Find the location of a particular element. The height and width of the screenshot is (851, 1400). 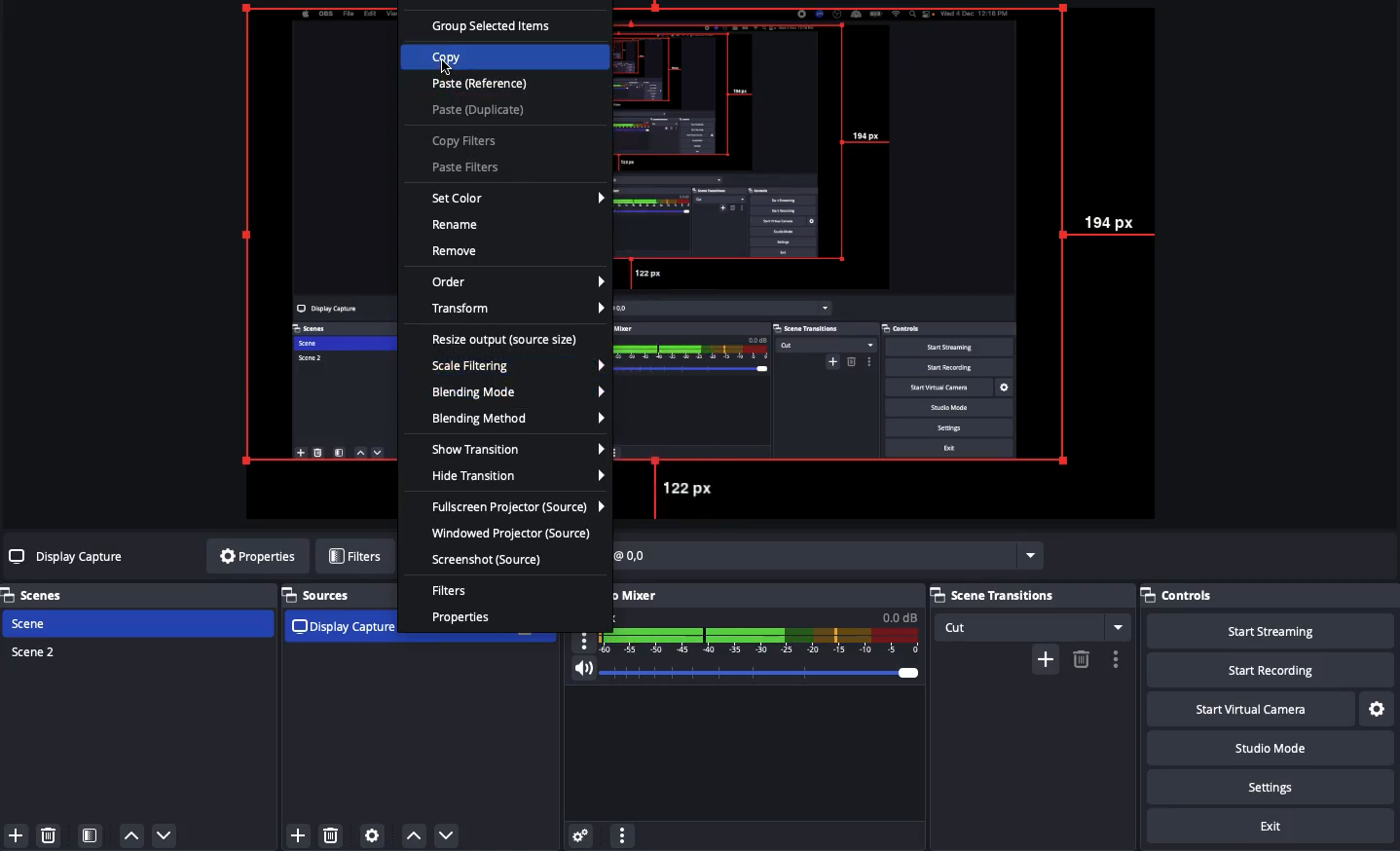

Scene filter is located at coordinates (91, 834).